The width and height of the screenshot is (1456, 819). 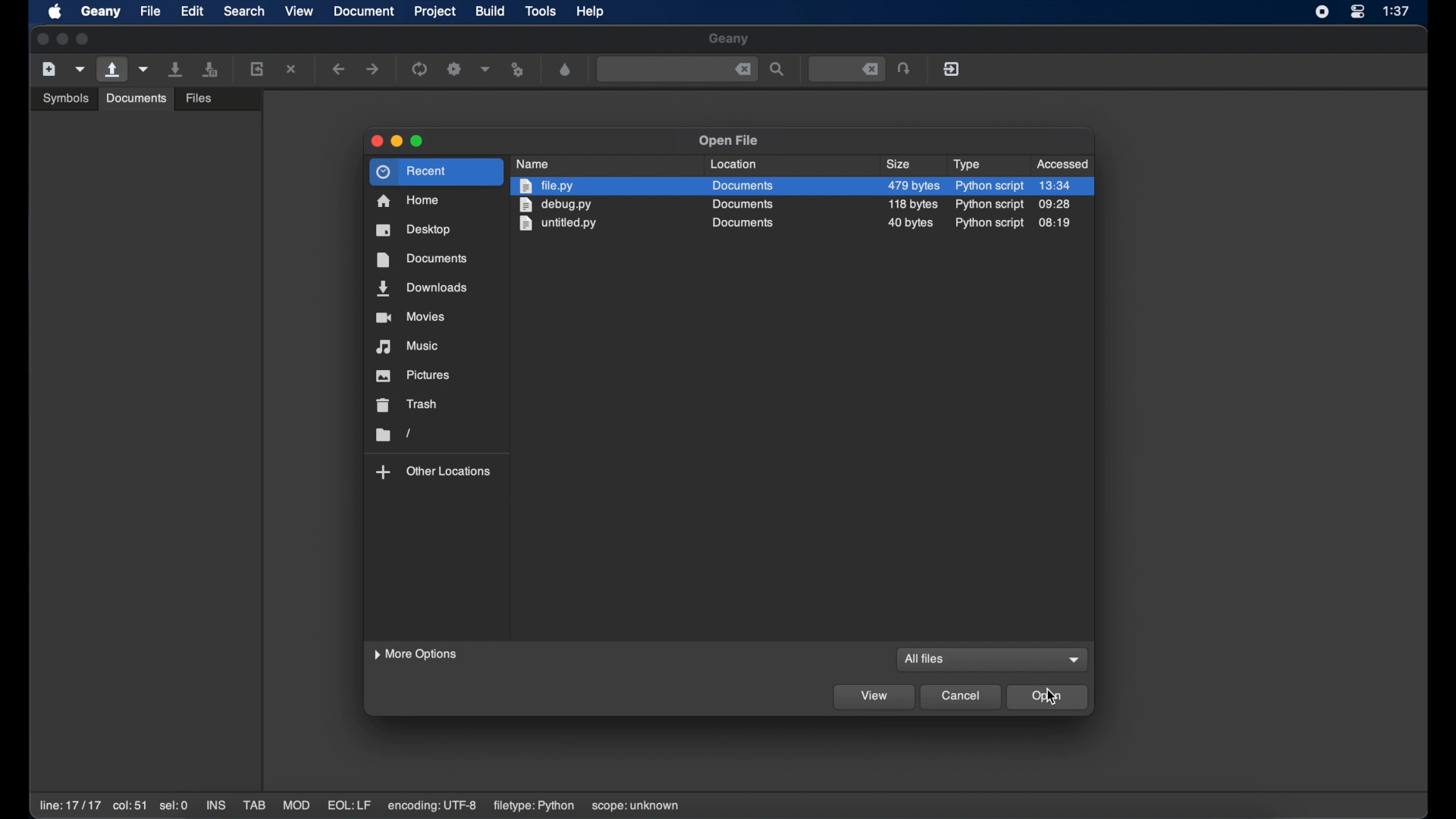 I want to click on control center, so click(x=1357, y=12).